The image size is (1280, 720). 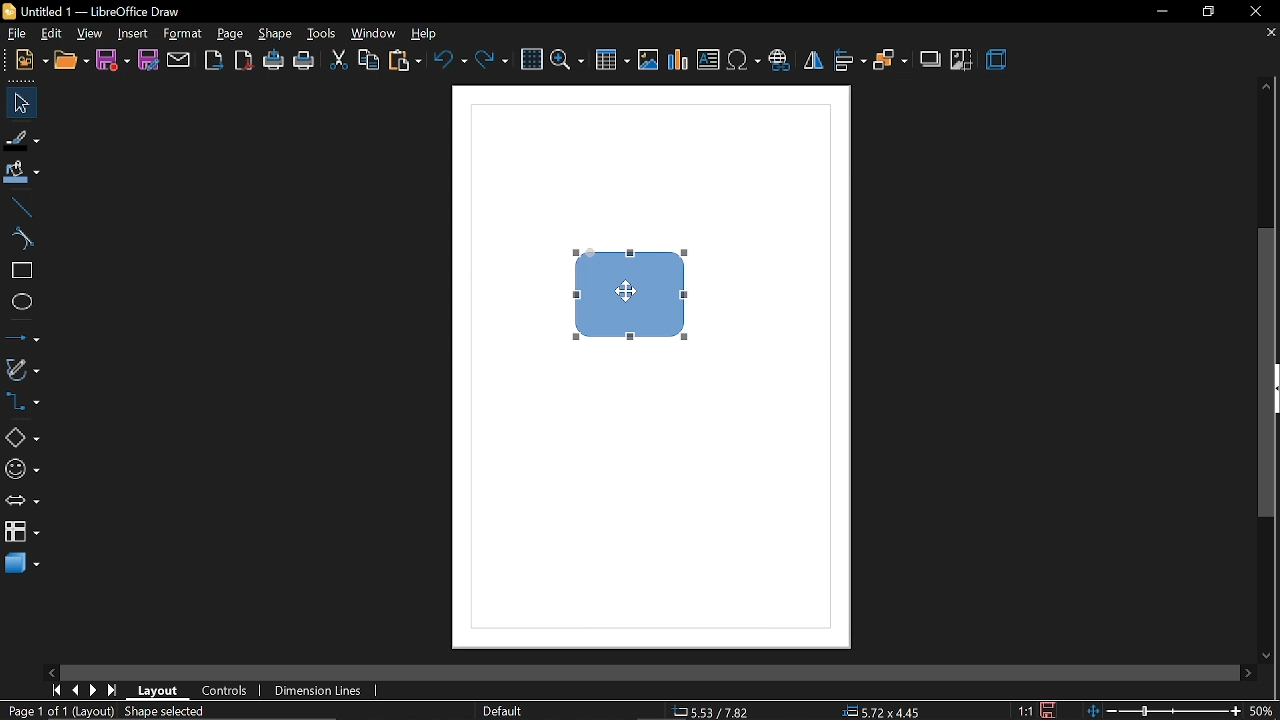 I want to click on arrange, so click(x=890, y=61).